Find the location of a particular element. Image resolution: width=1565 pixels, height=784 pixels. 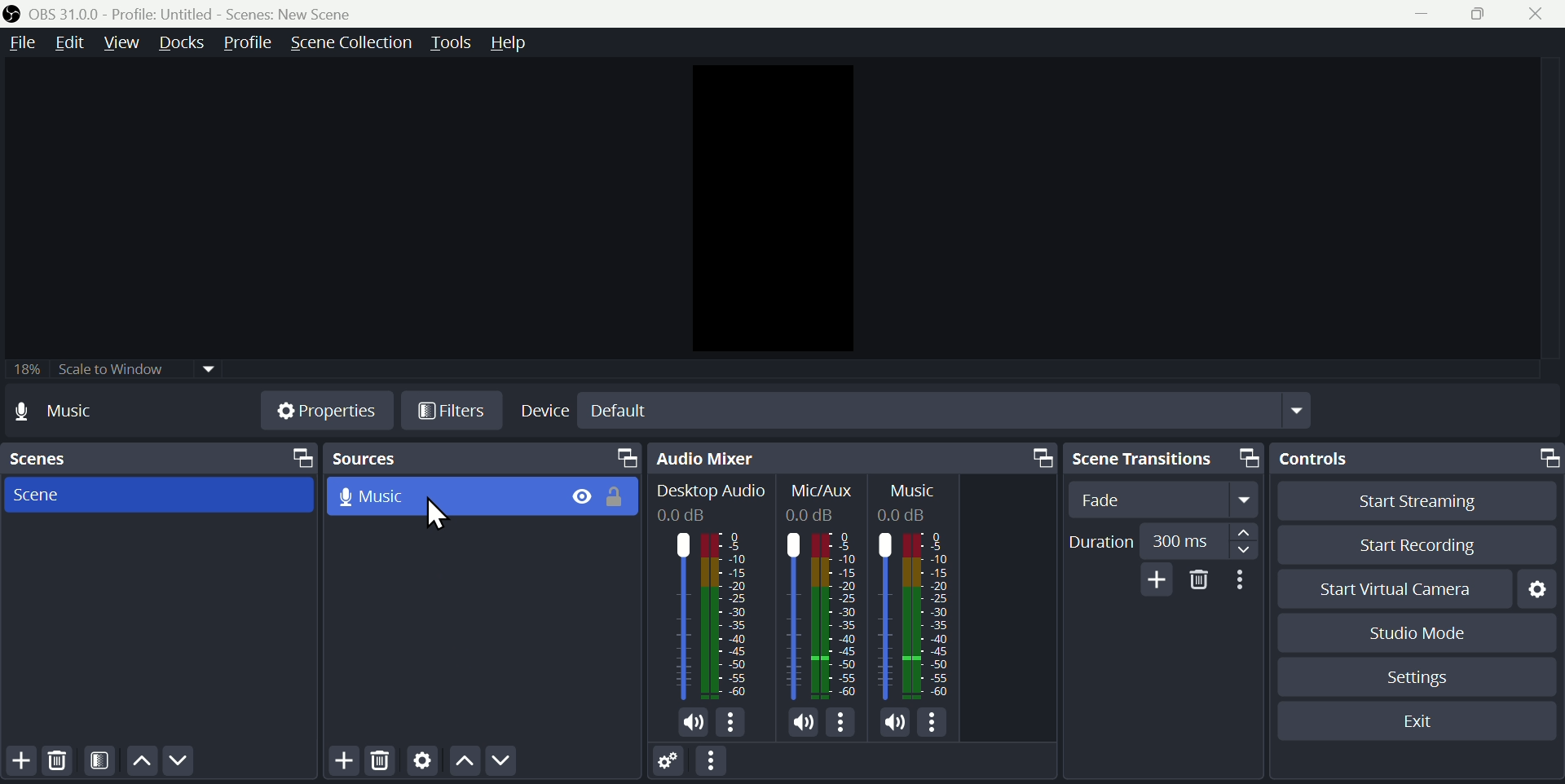

Audio mixer is located at coordinates (850, 457).